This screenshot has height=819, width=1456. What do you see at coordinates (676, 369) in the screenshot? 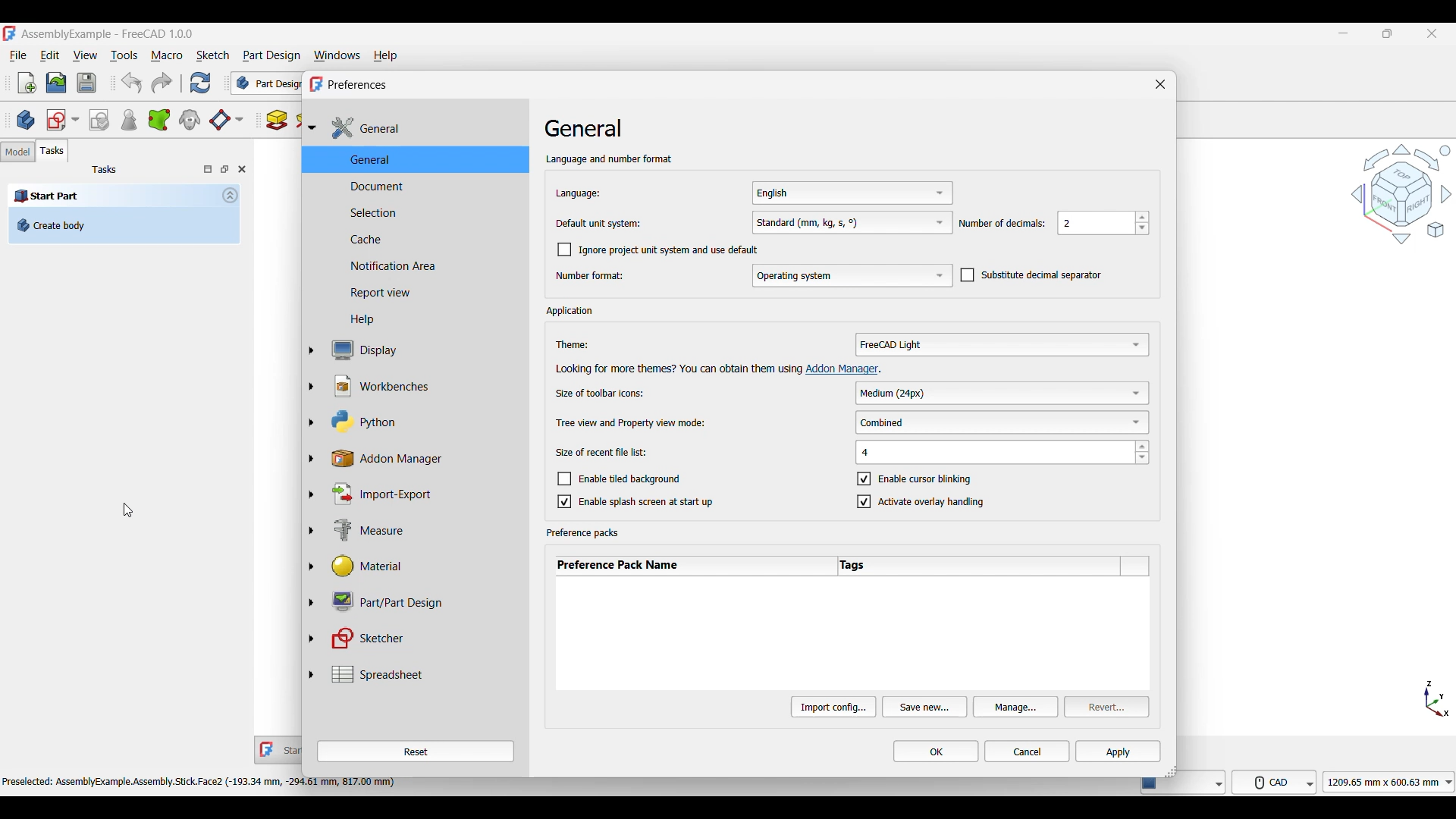
I see `Looking for more themes? You can obtain them using` at bounding box center [676, 369].